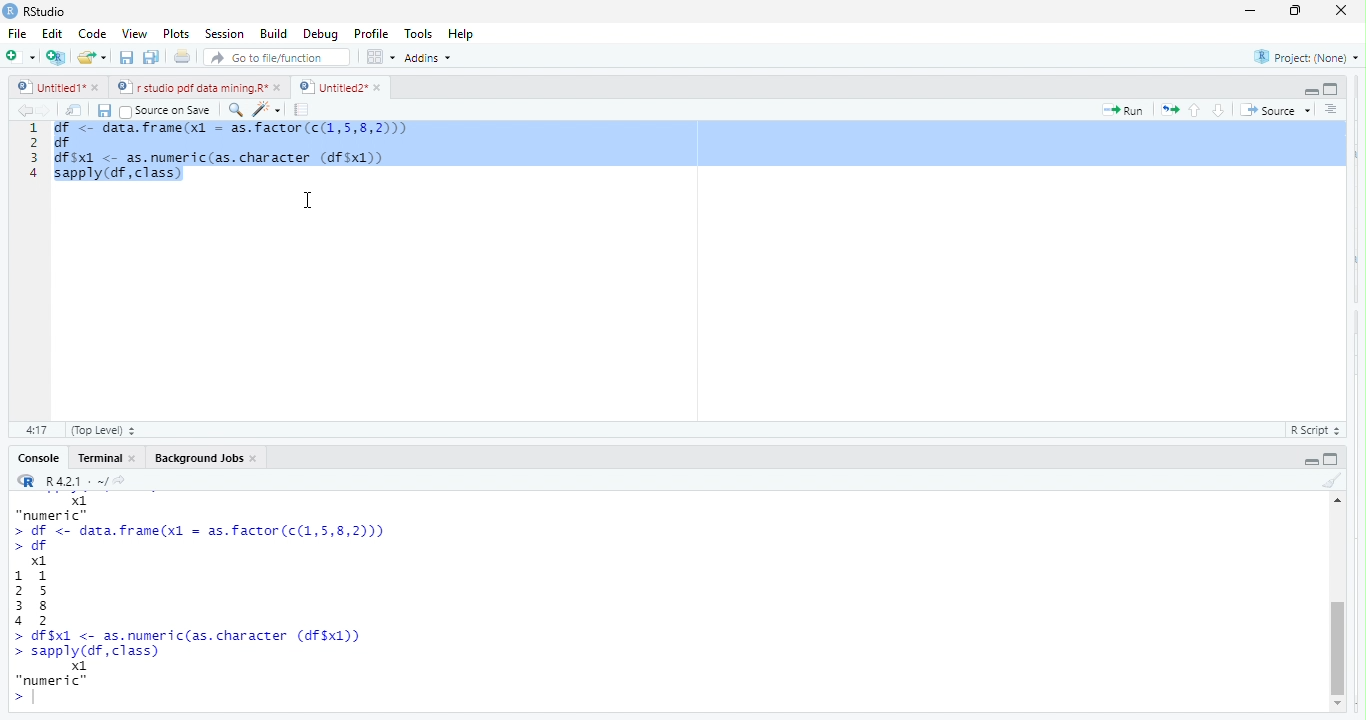  Describe the element at coordinates (198, 459) in the screenshot. I see `‘Background Jobs` at that location.